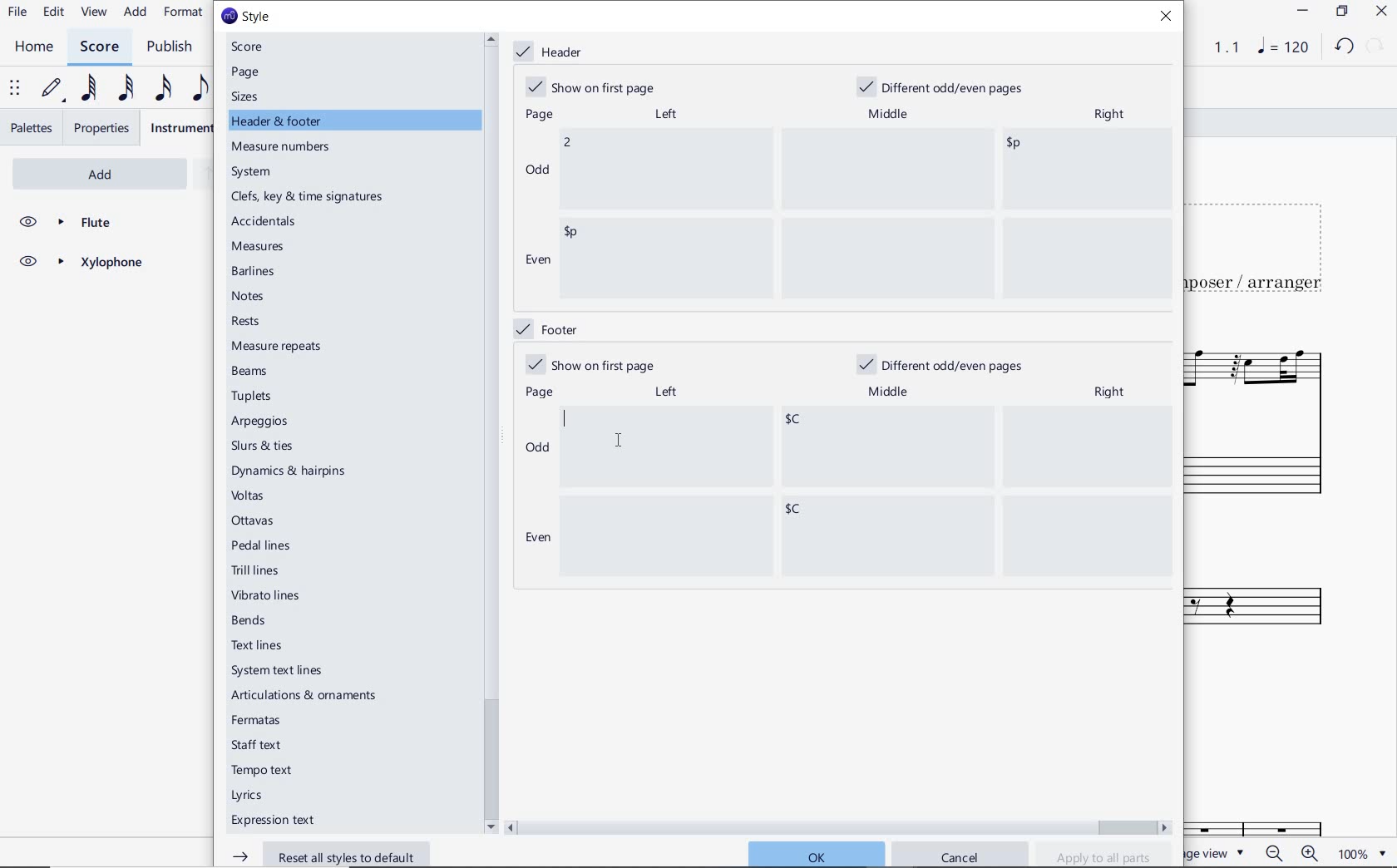 This screenshot has width=1397, height=868. What do you see at coordinates (1341, 12) in the screenshot?
I see `RESTORE DOWN` at bounding box center [1341, 12].